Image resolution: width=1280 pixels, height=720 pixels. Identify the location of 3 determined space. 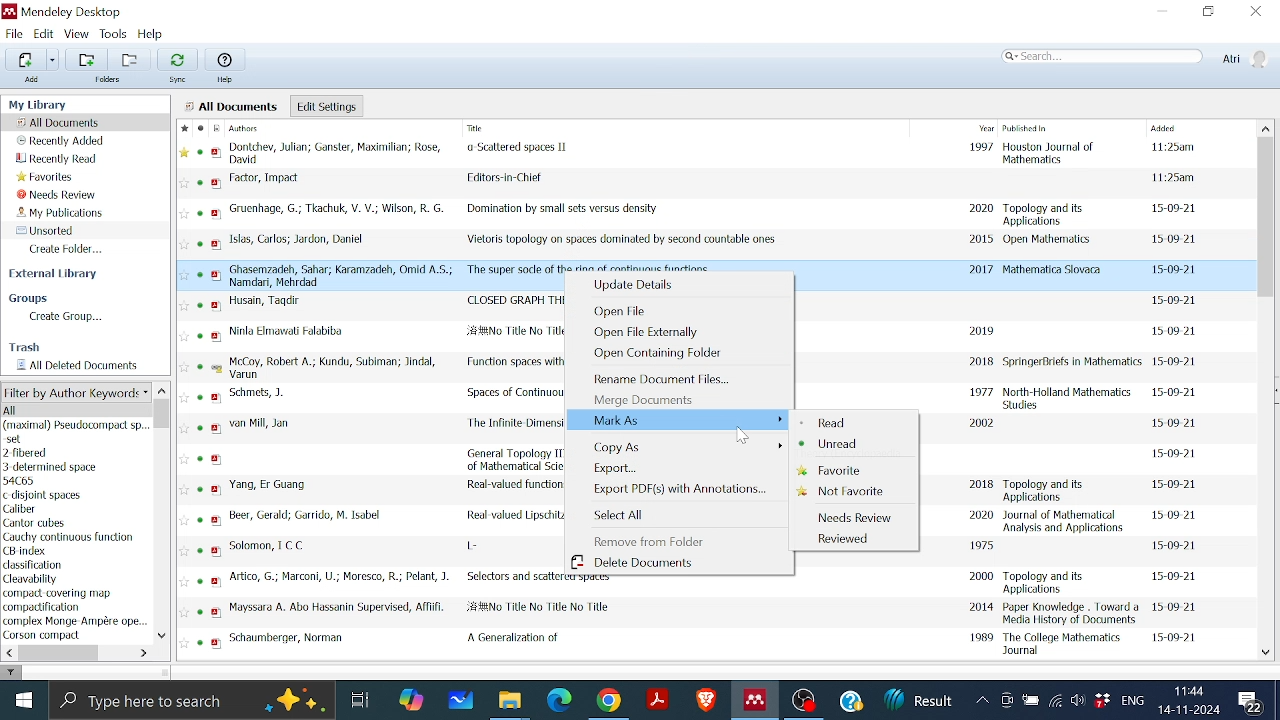
(49, 467).